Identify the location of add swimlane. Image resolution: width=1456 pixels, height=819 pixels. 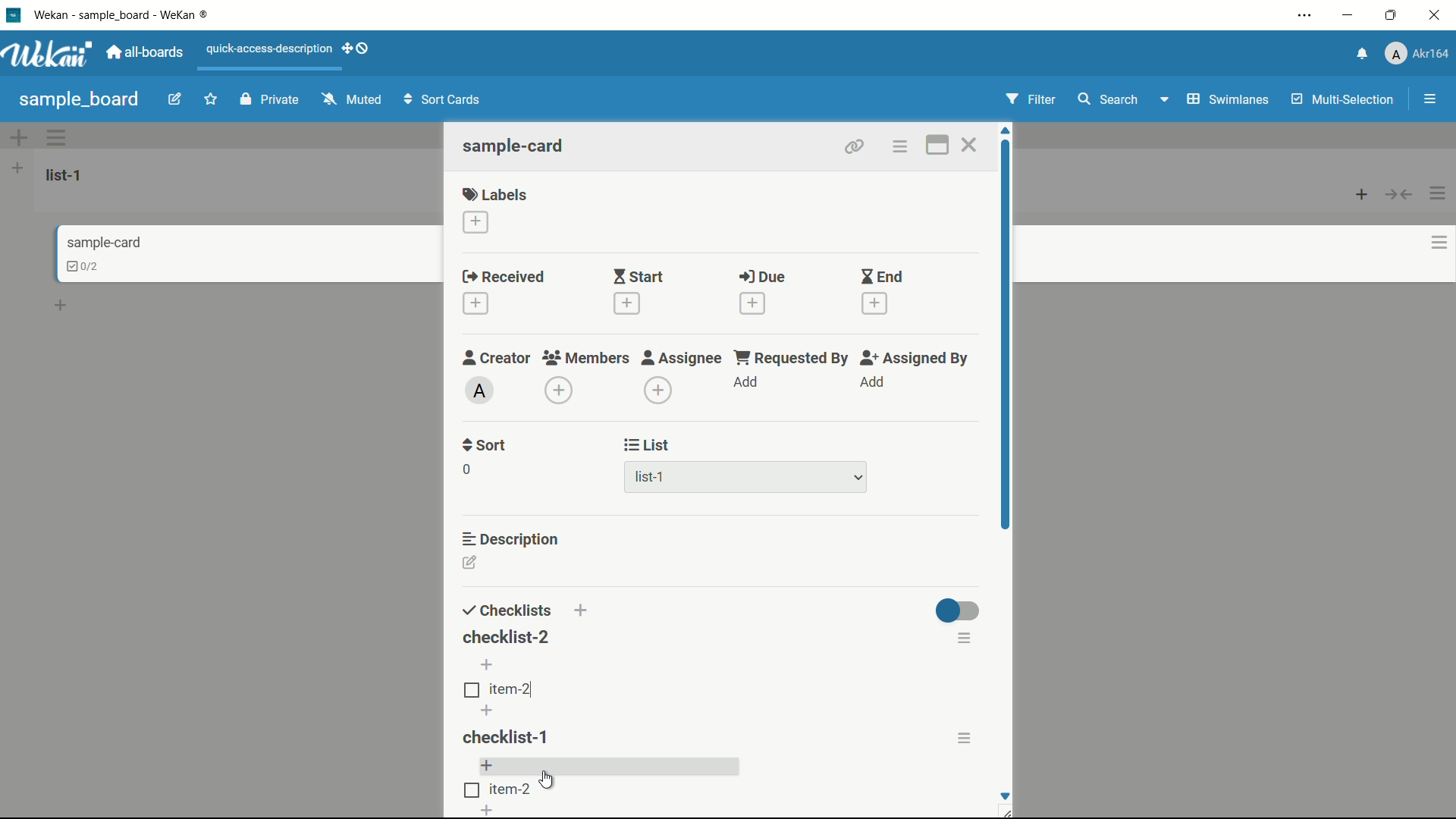
(17, 137).